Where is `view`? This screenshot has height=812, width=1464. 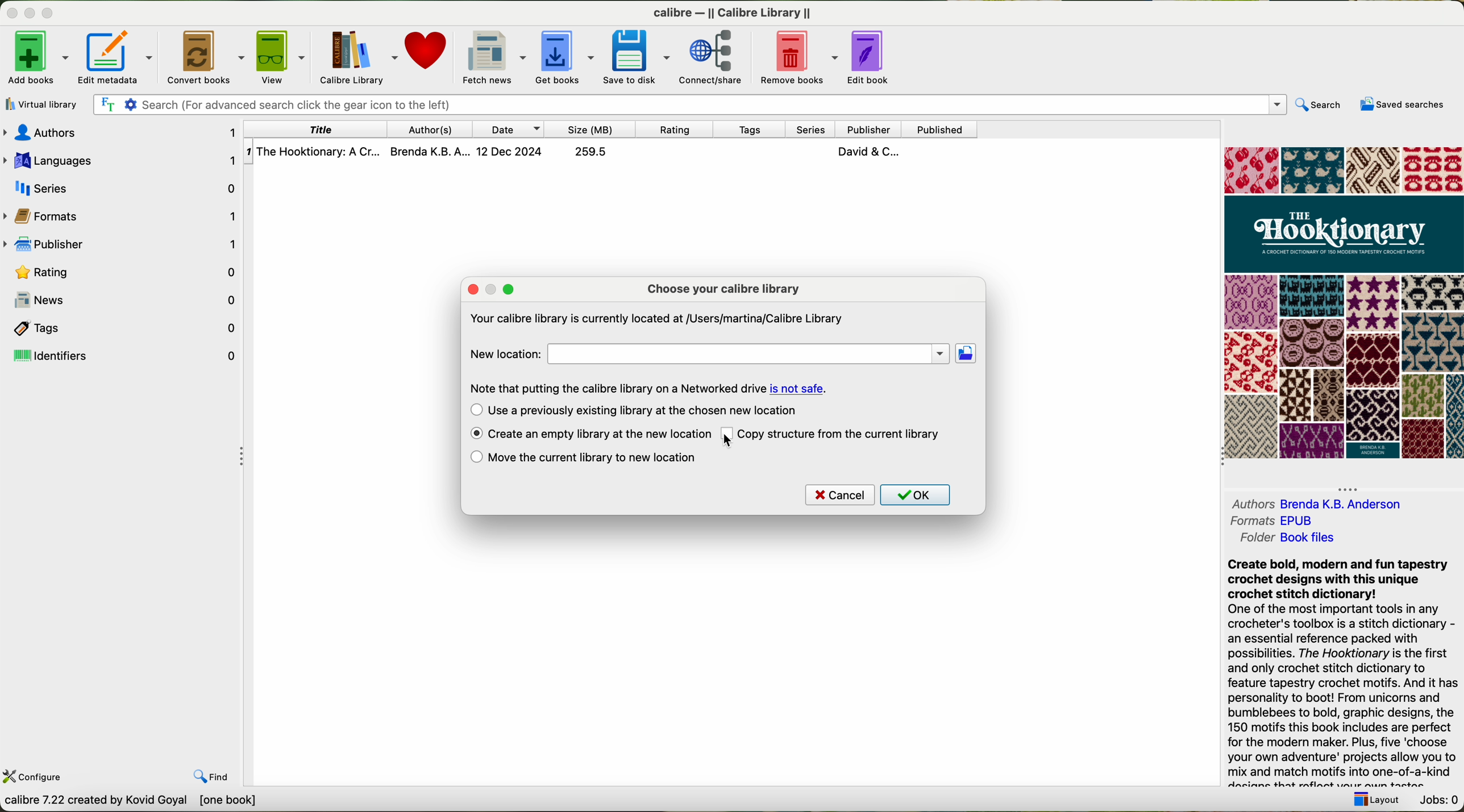
view is located at coordinates (279, 56).